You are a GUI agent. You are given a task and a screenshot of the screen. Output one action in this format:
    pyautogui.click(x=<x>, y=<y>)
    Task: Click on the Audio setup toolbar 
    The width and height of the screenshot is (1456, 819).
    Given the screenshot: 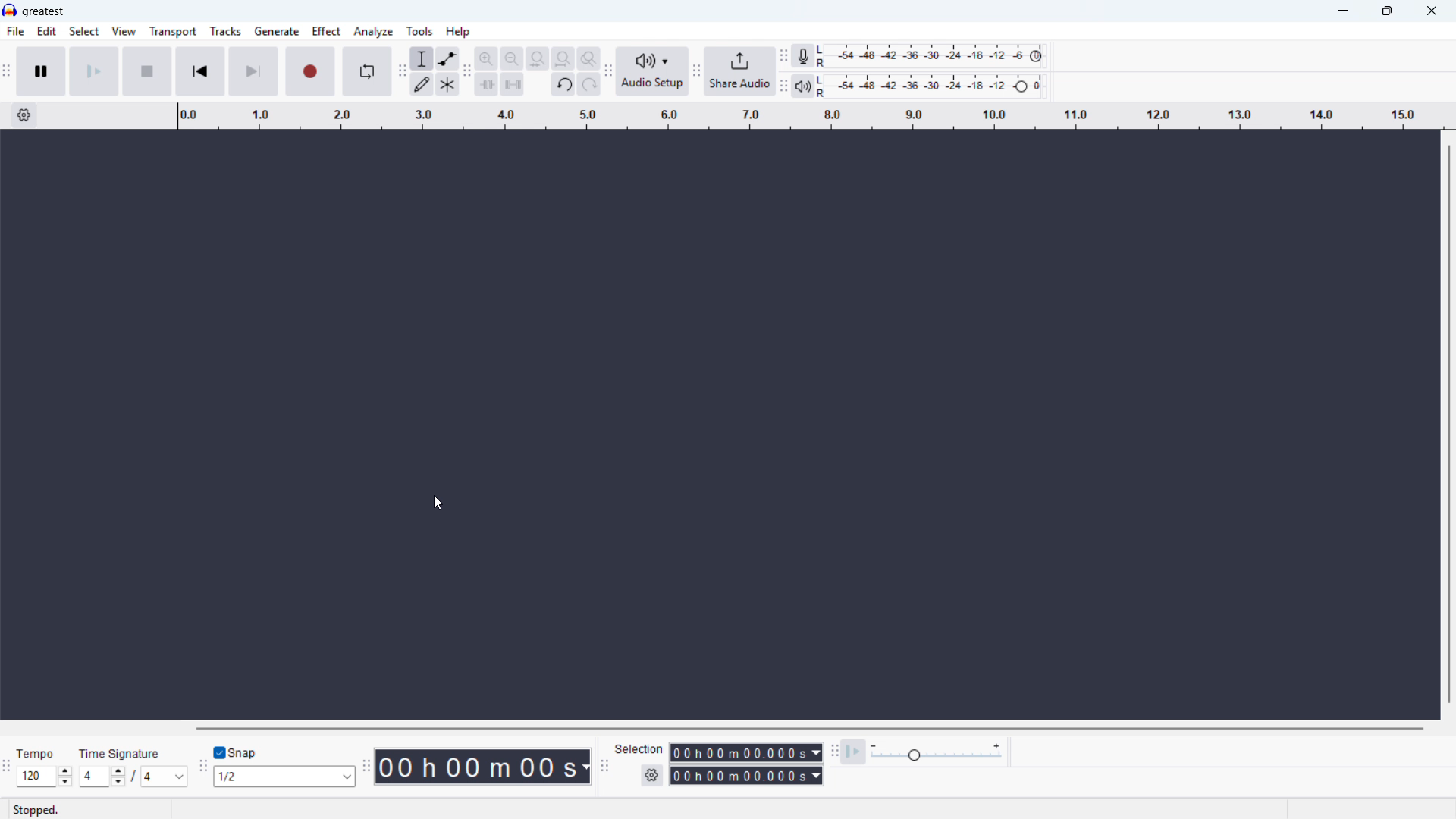 What is the action you would take?
    pyautogui.click(x=609, y=72)
    